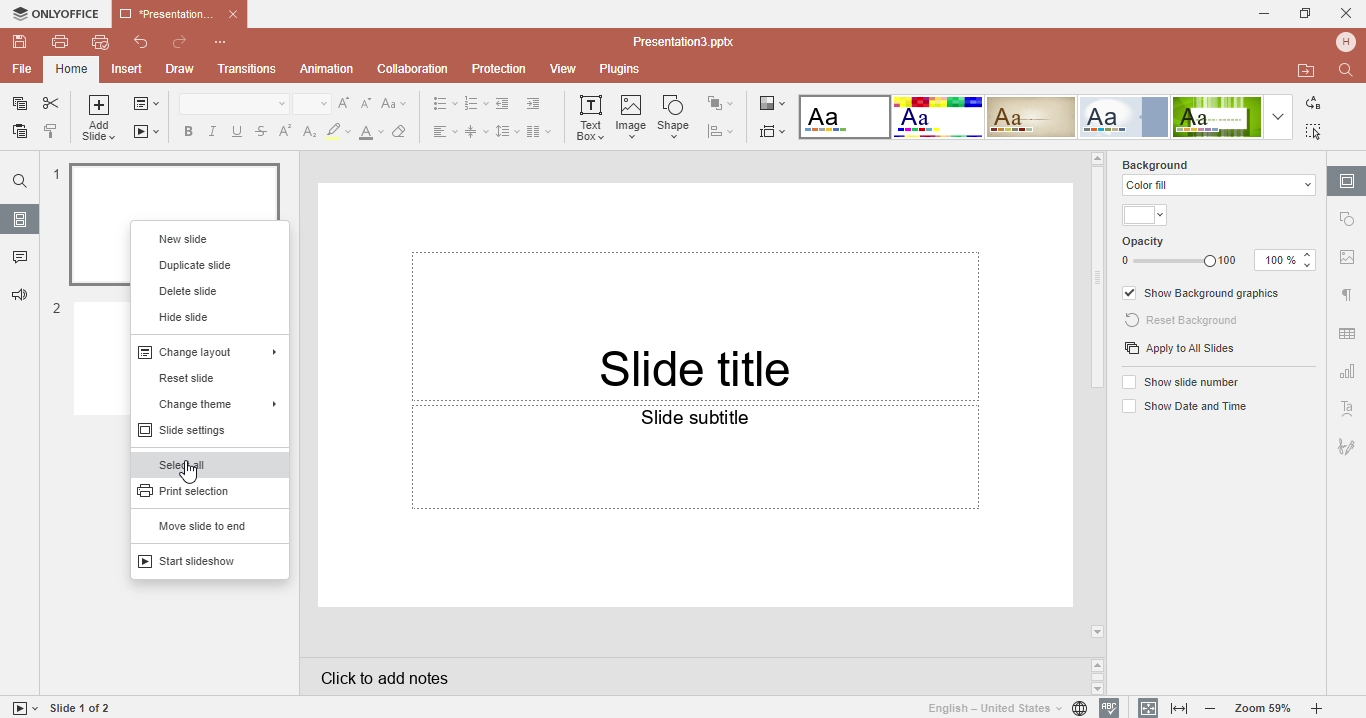 The width and height of the screenshot is (1366, 718). Describe the element at coordinates (52, 104) in the screenshot. I see `Cut` at that location.